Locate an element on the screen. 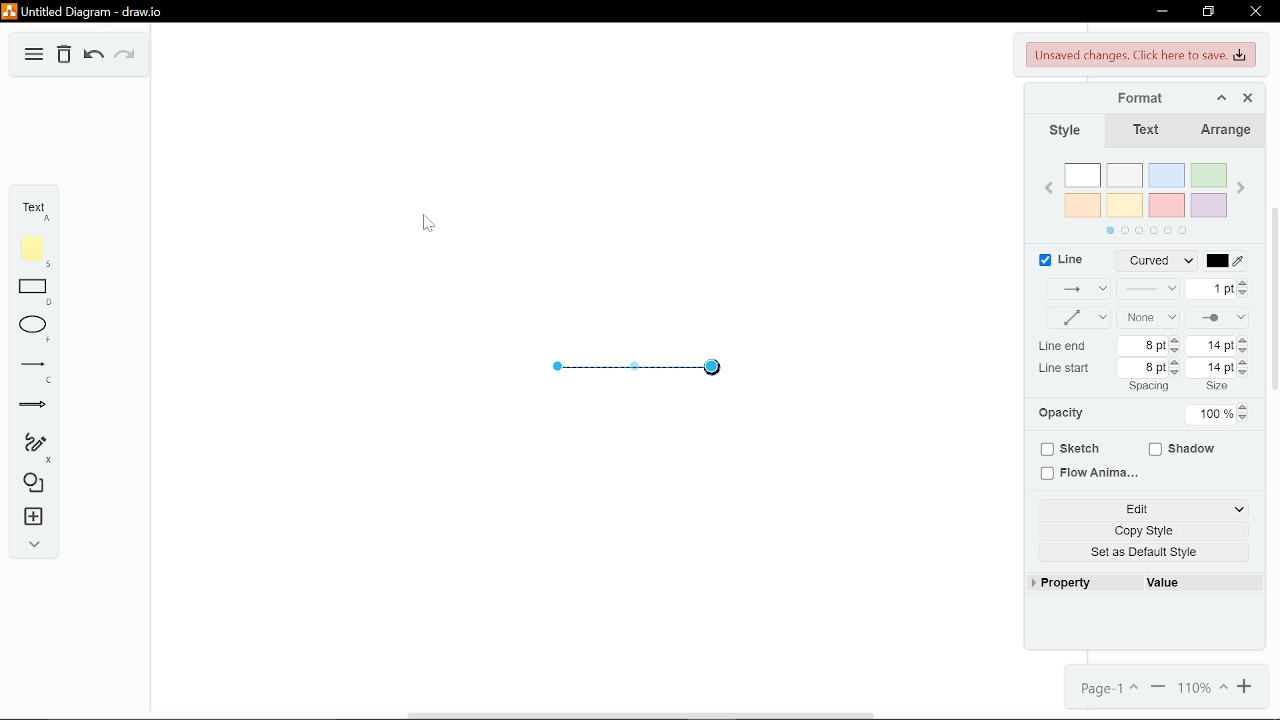  Linestart is located at coordinates (1150, 319).